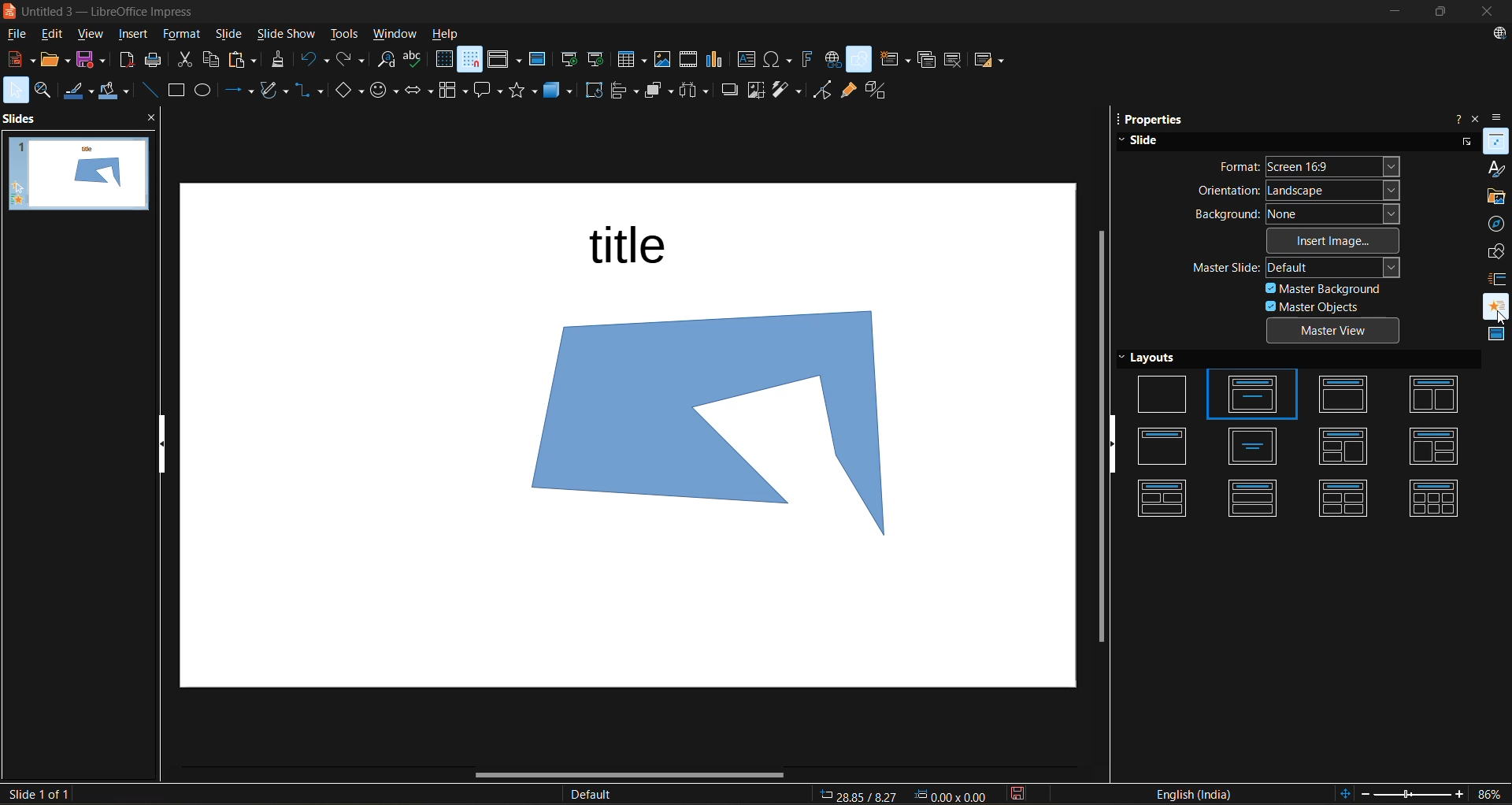 This screenshot has width=1512, height=805. I want to click on arrange, so click(654, 94).